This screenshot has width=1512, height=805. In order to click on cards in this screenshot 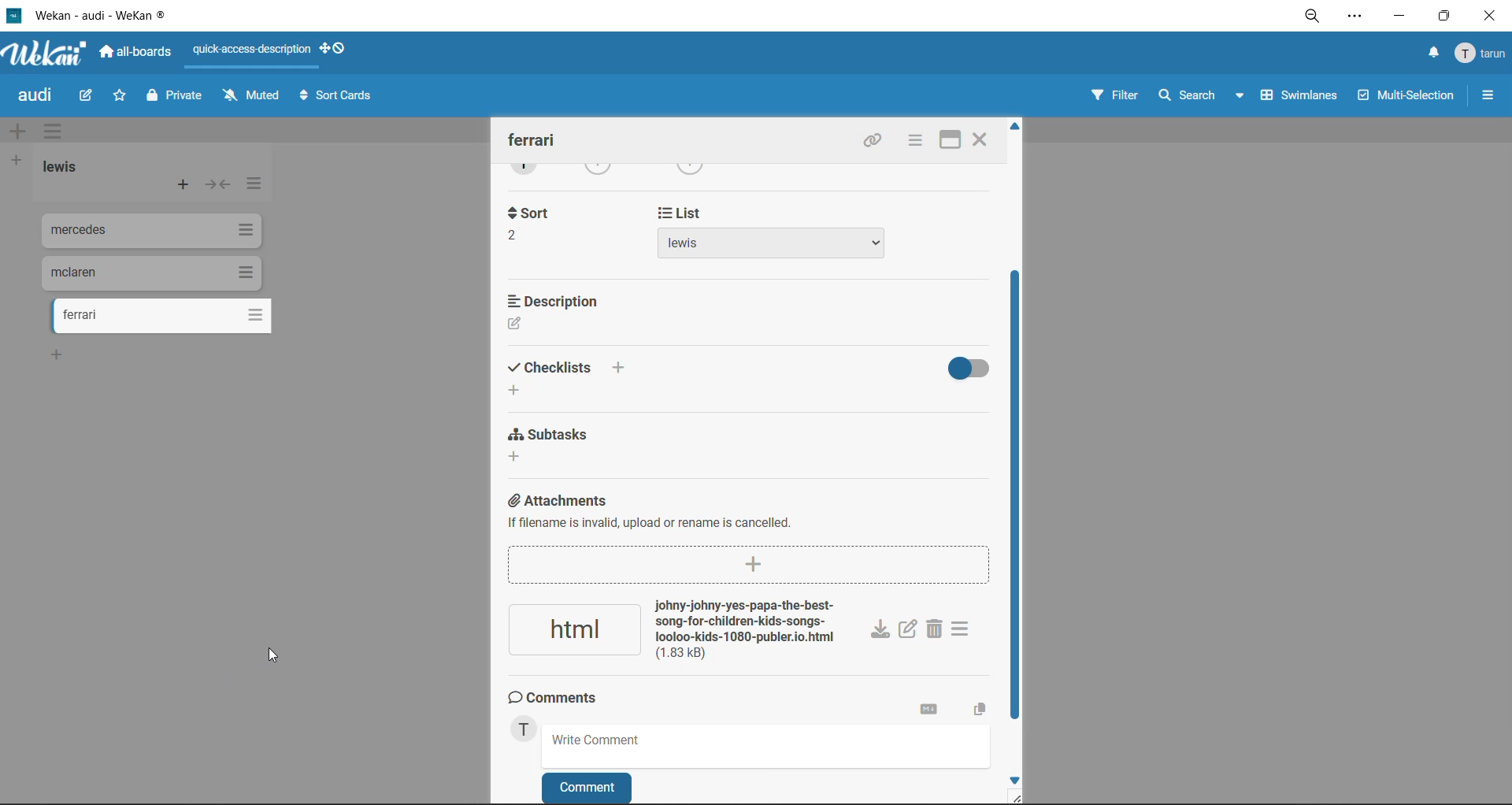, I will do `click(169, 317)`.